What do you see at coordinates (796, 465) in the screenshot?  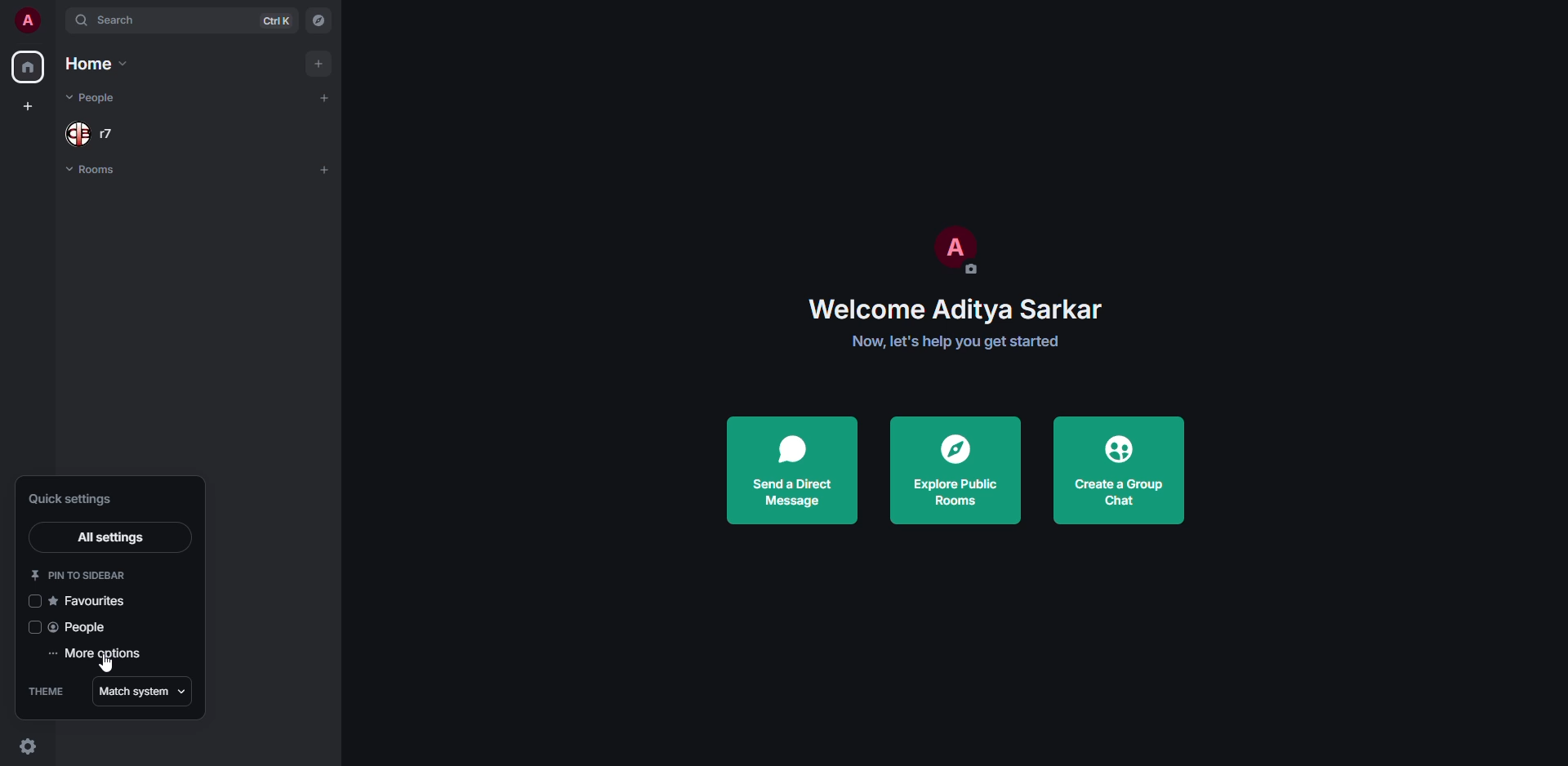 I see `send direct message` at bounding box center [796, 465].